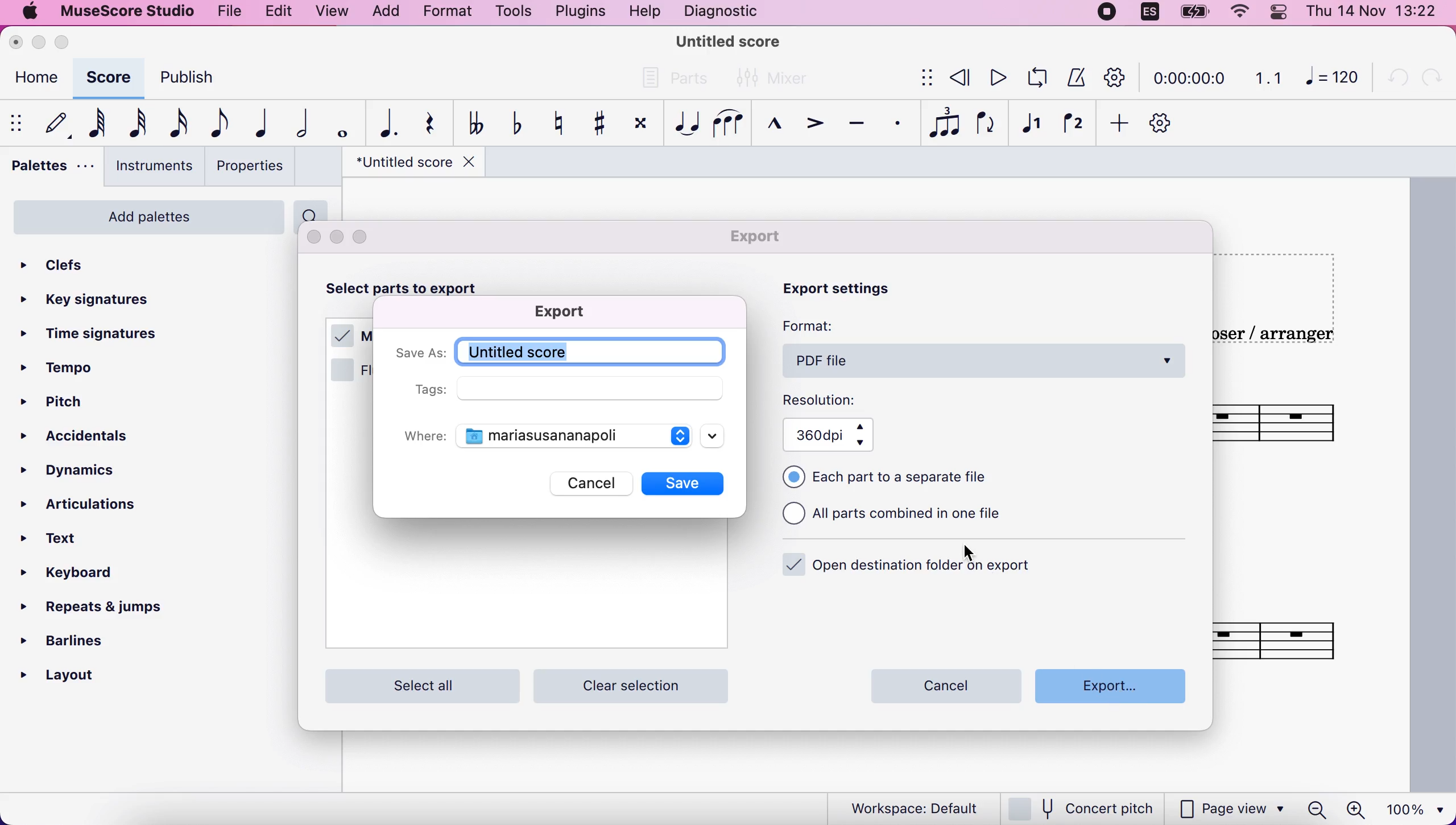  What do you see at coordinates (1115, 121) in the screenshot?
I see `add` at bounding box center [1115, 121].